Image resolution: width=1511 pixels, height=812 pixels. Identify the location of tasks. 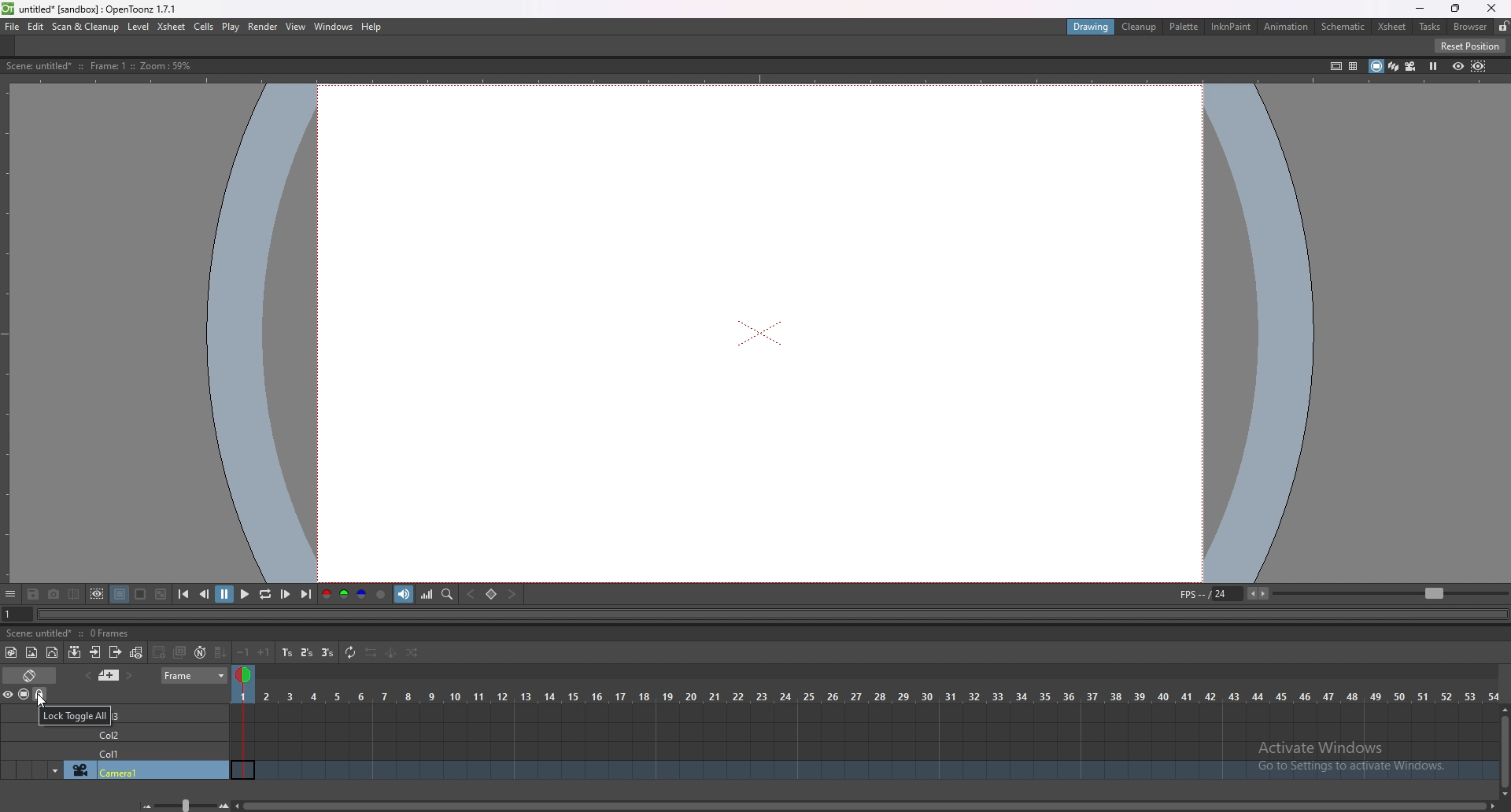
(1429, 27).